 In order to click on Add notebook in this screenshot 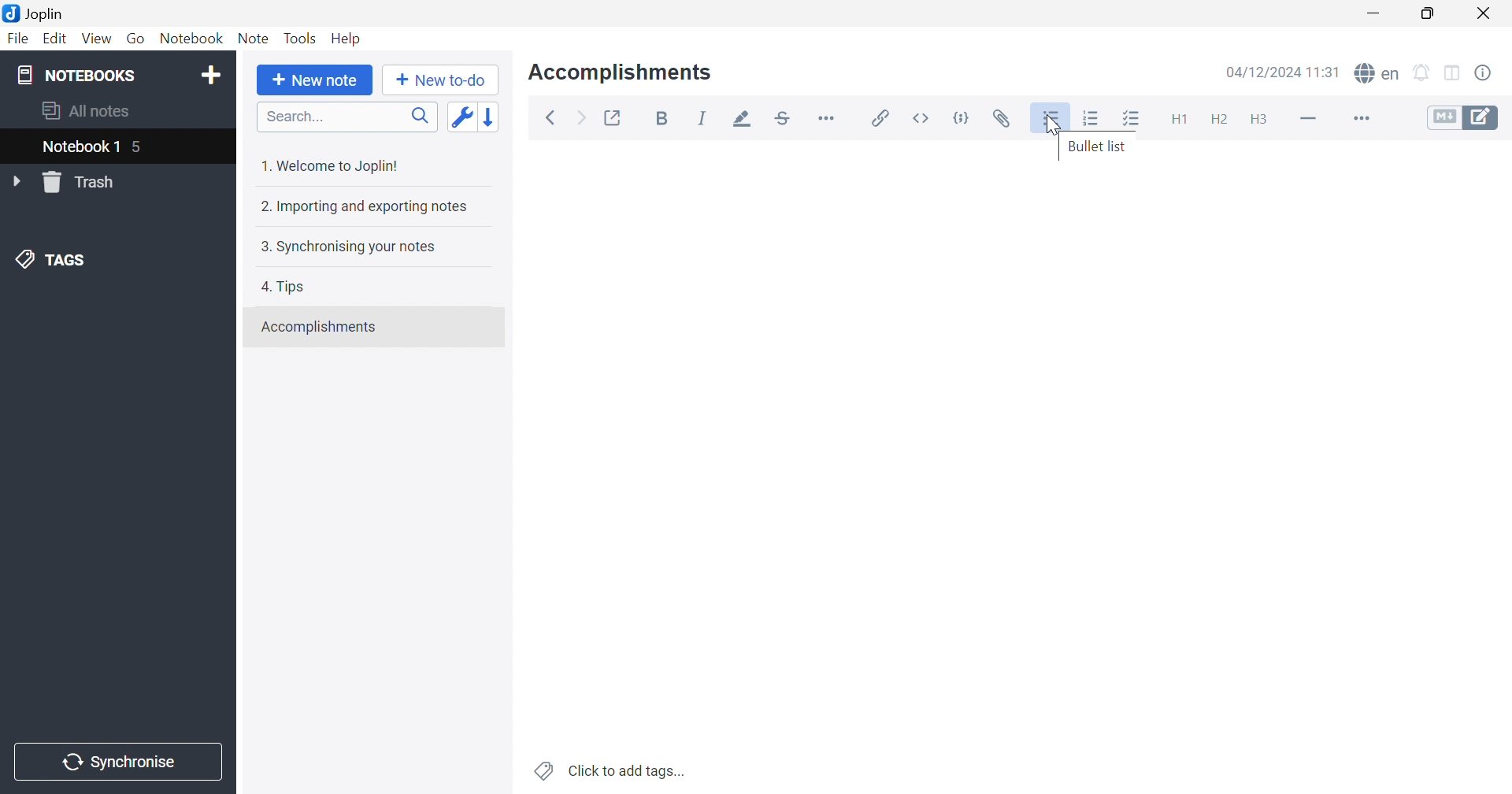, I will do `click(210, 76)`.